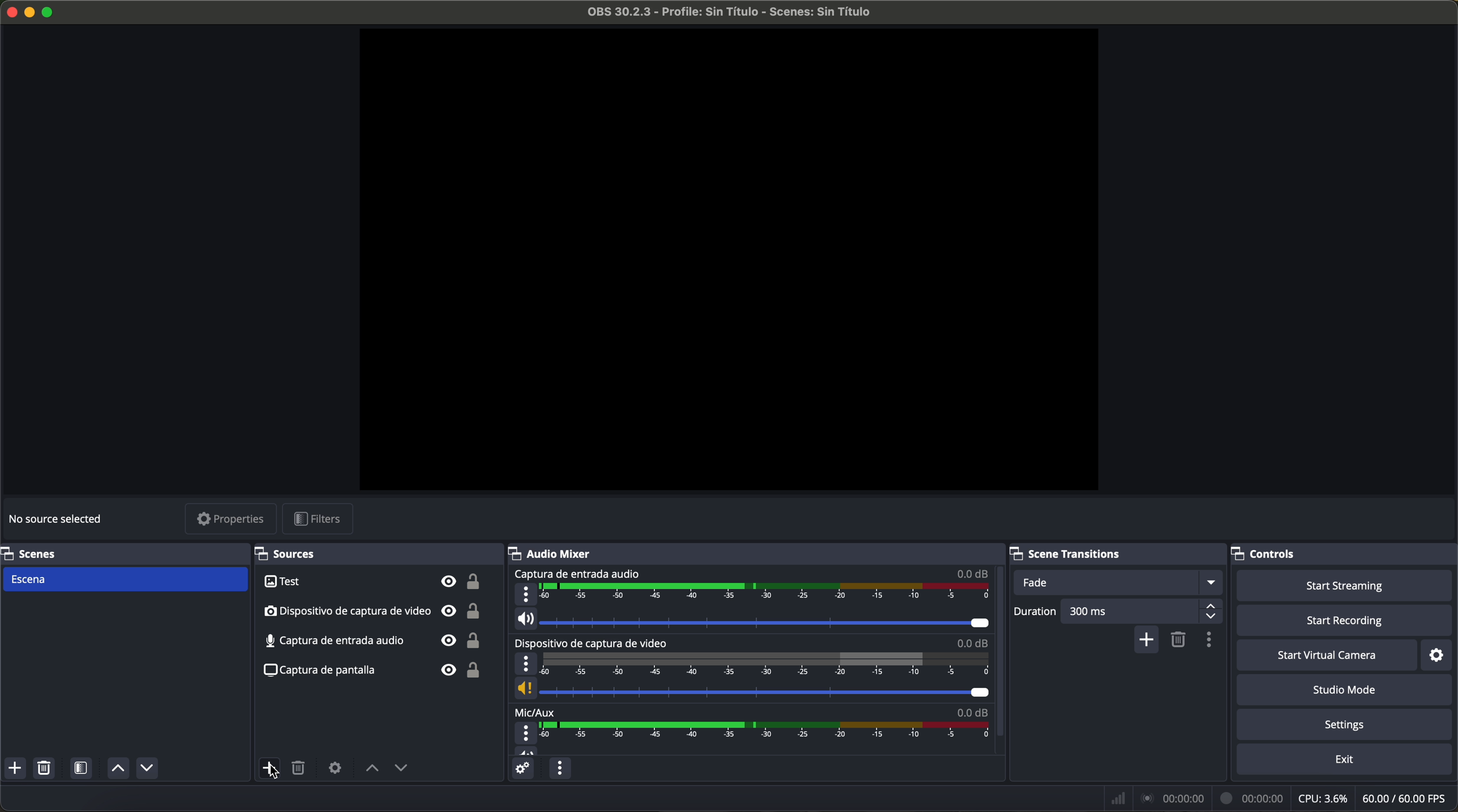 The width and height of the screenshot is (1458, 812). I want to click on timeline, so click(767, 595).